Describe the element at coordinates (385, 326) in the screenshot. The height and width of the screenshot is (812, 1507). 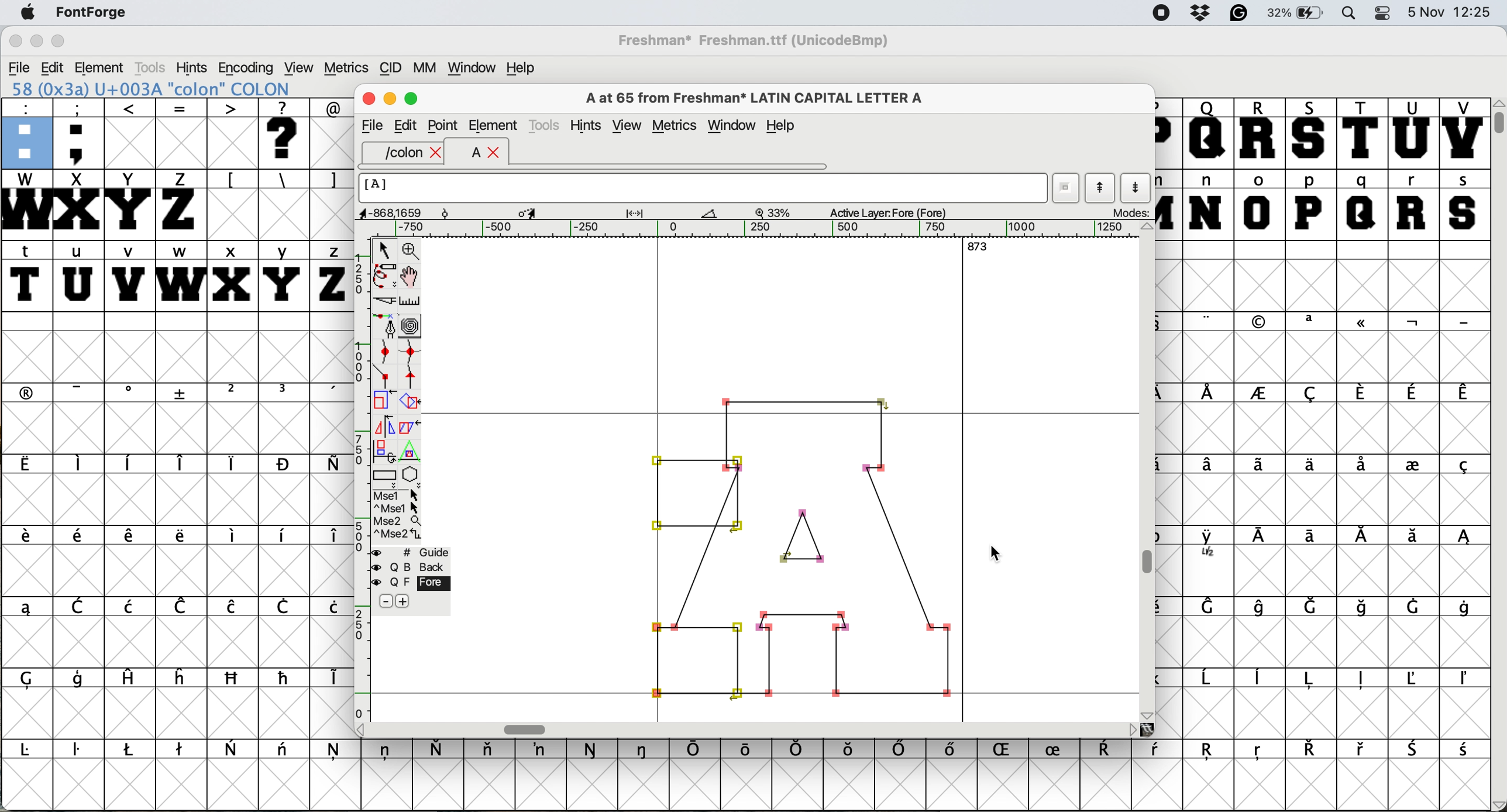
I see `add a point and drag out it corners` at that location.